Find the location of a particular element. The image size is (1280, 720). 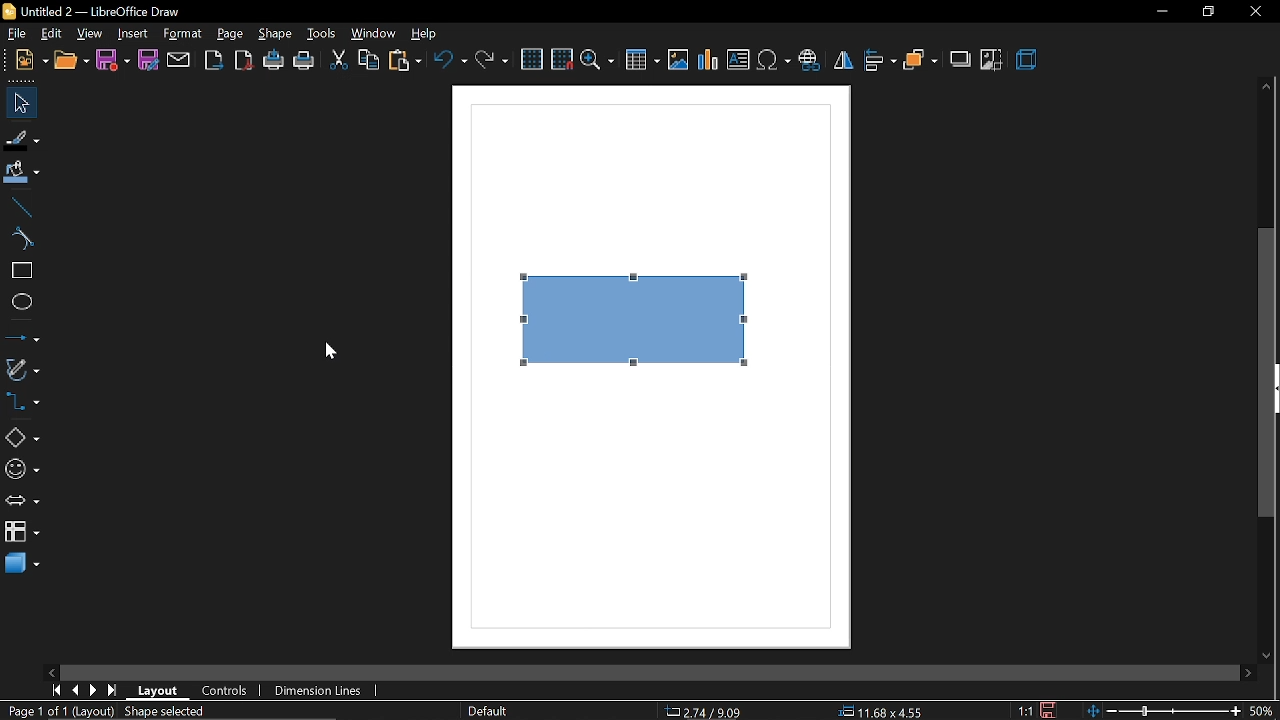

crop is located at coordinates (989, 61).